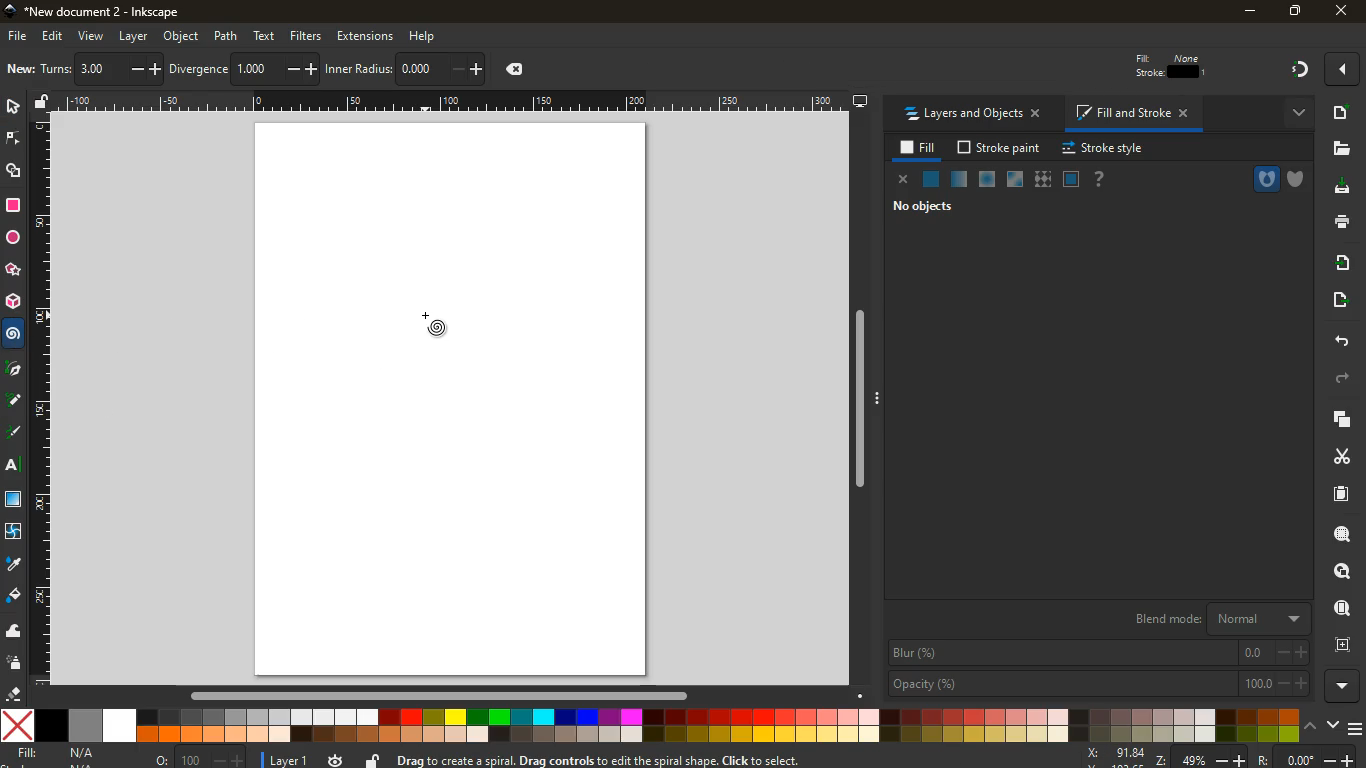 The image size is (1366, 768). I want to click on more, so click(1294, 115).